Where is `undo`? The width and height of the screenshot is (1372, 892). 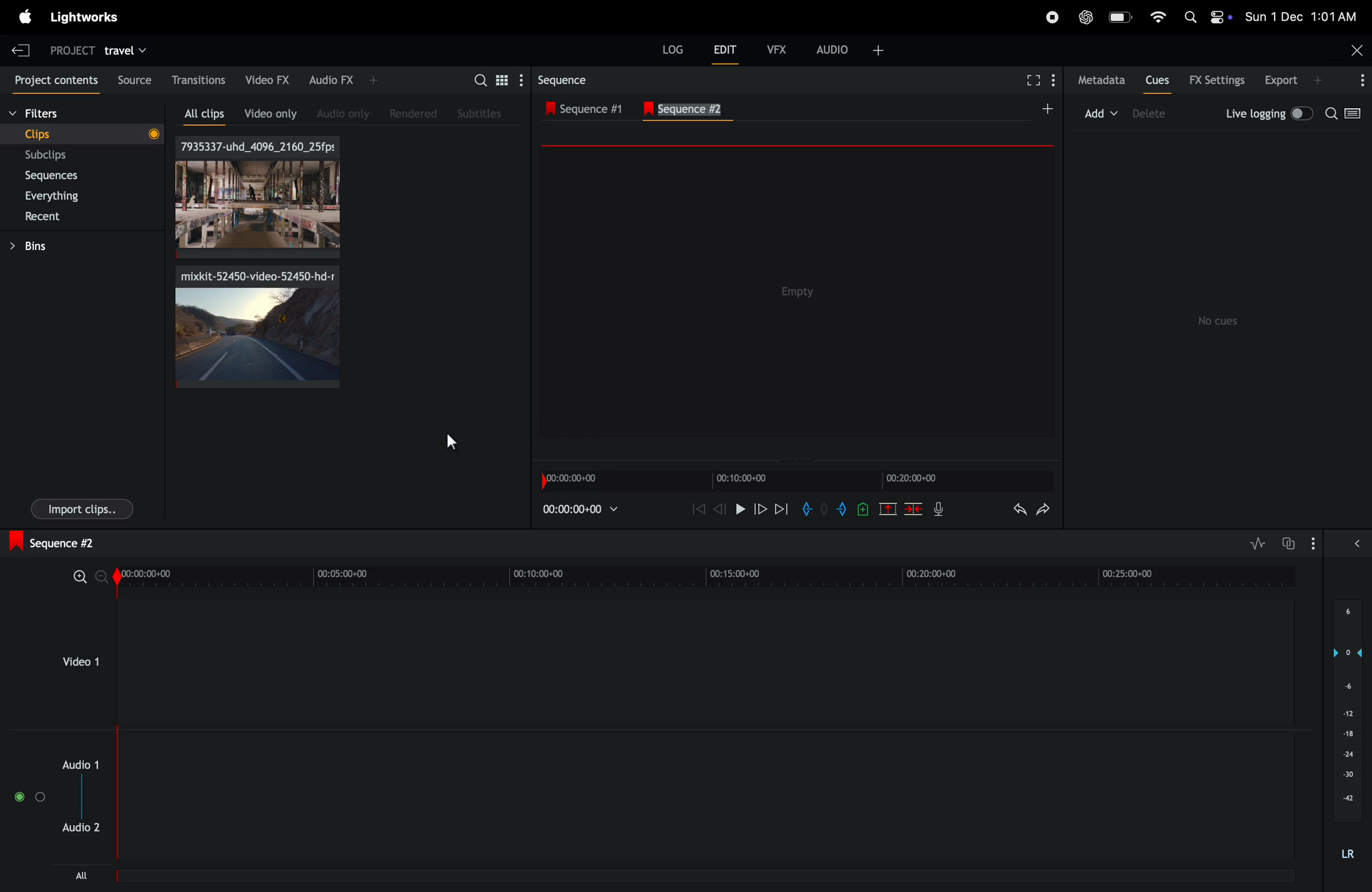 undo is located at coordinates (1020, 509).